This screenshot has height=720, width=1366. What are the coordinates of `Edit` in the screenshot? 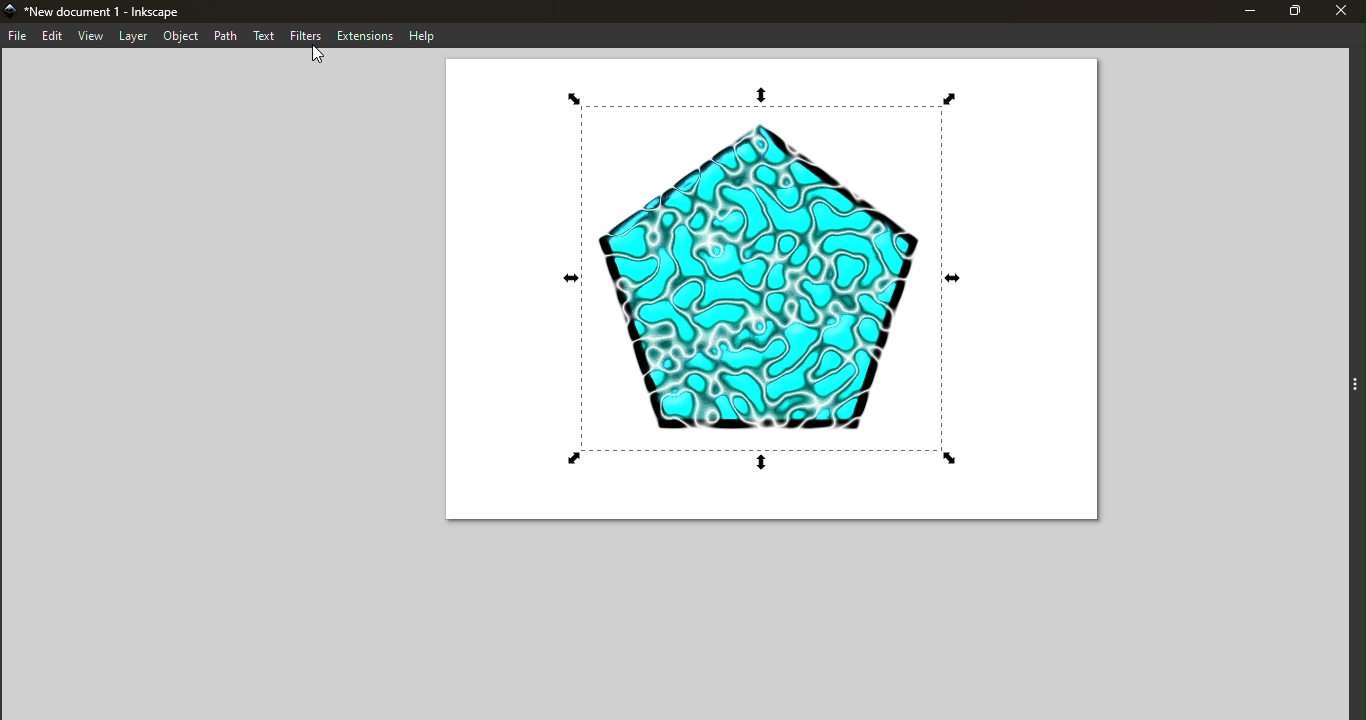 It's located at (53, 37).